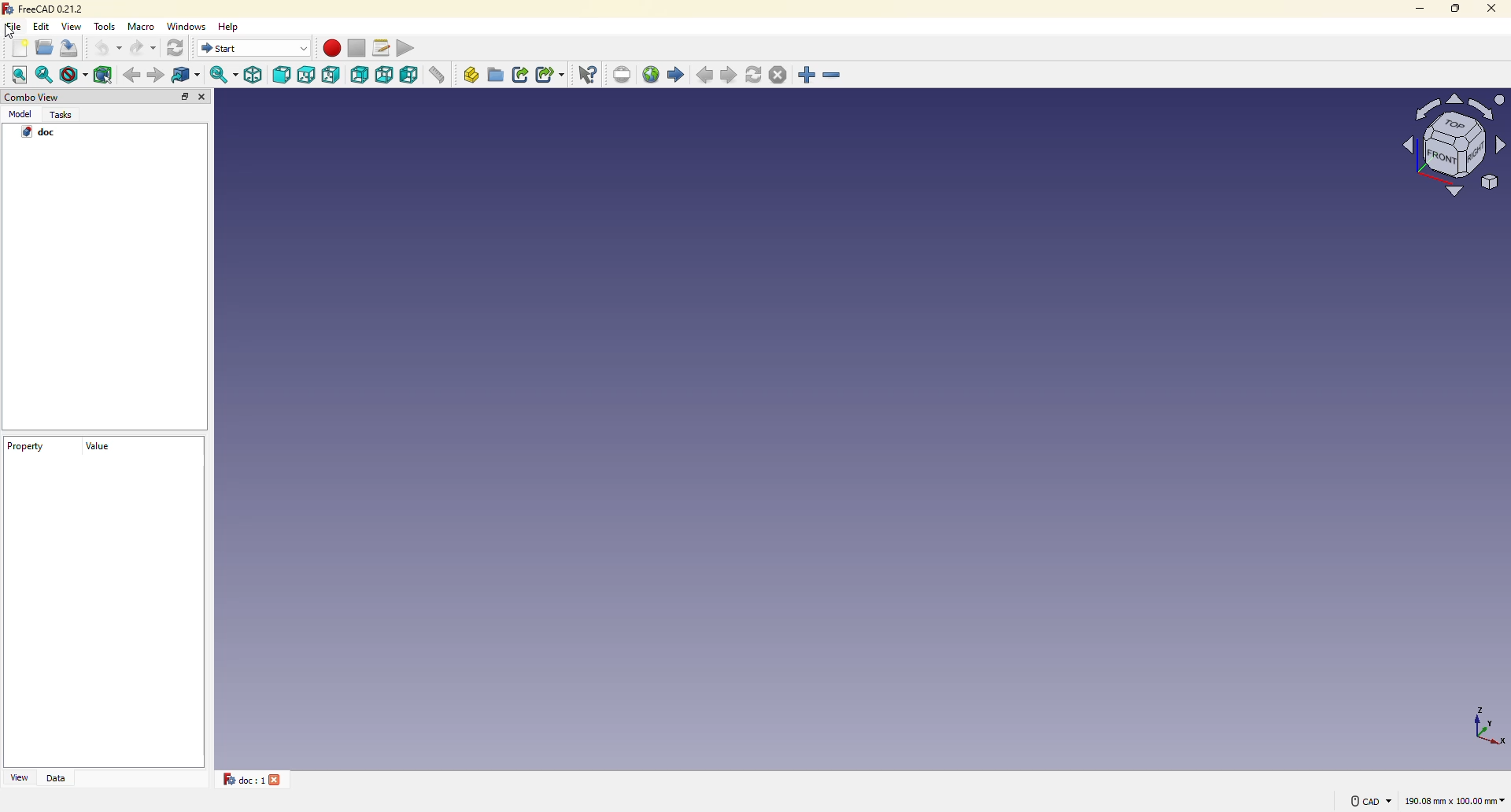 The width and height of the screenshot is (1511, 812). I want to click on forward, so click(156, 76).